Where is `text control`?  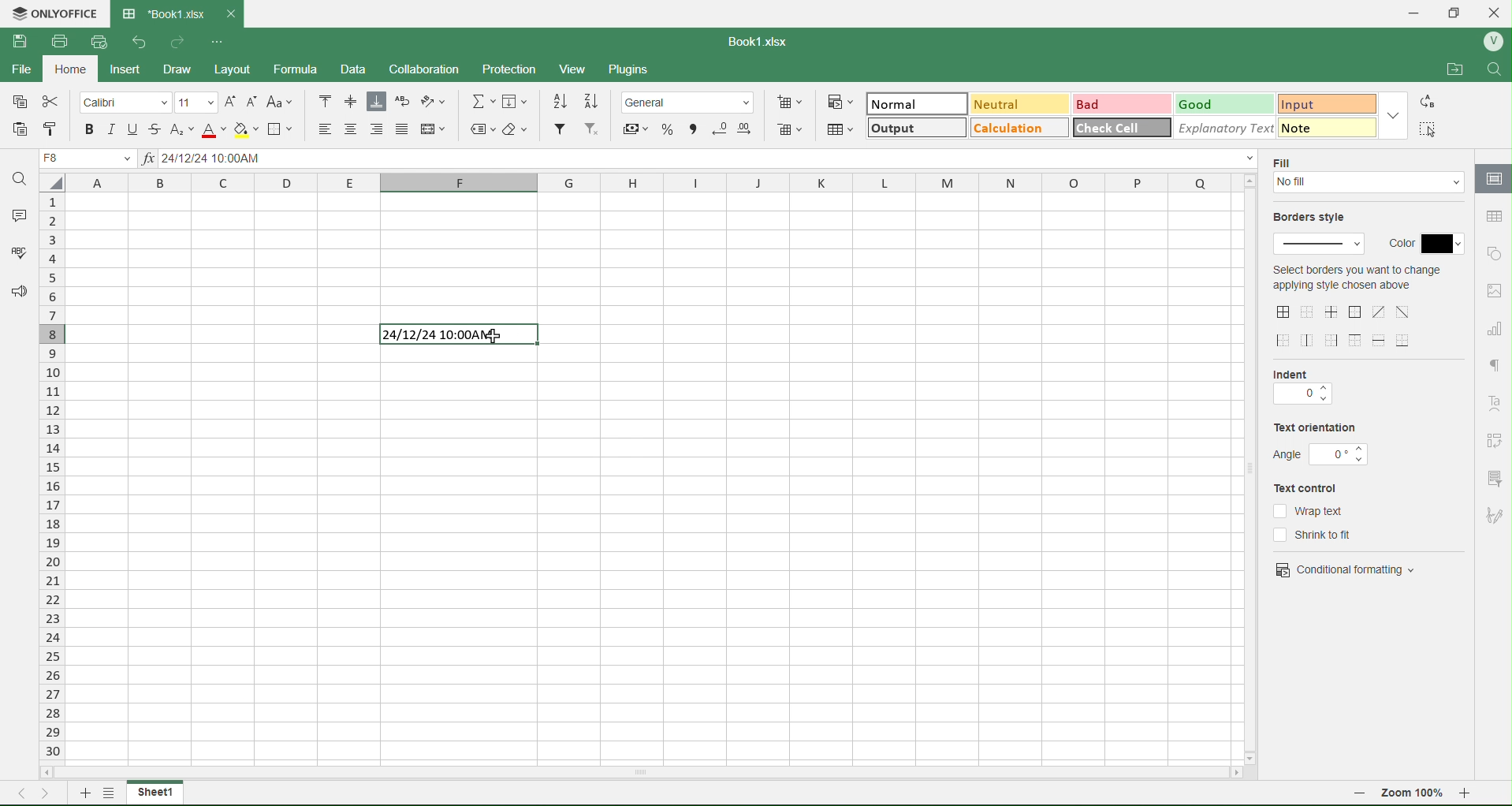 text control is located at coordinates (1315, 488).